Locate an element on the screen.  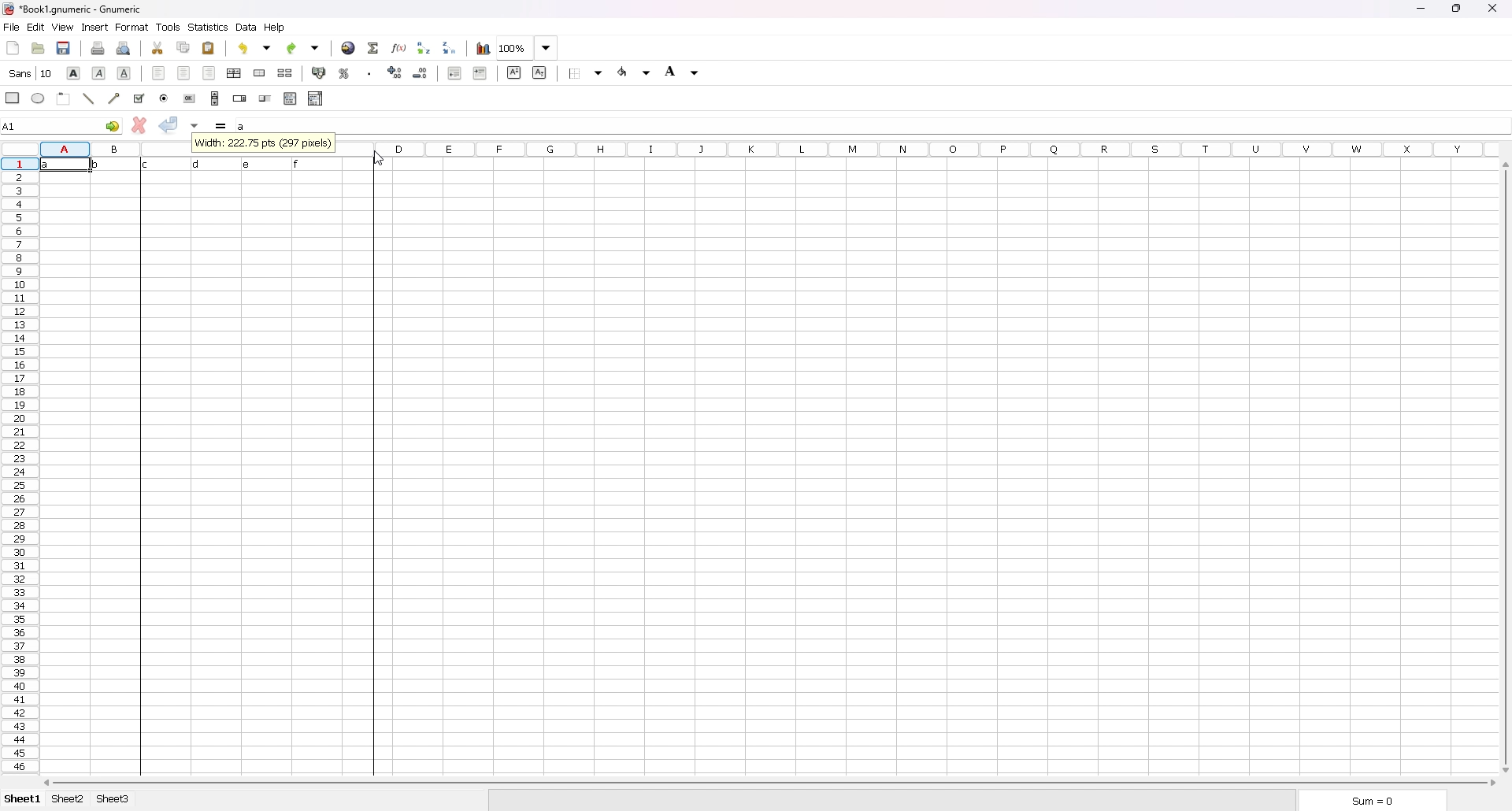
print preview is located at coordinates (123, 48).